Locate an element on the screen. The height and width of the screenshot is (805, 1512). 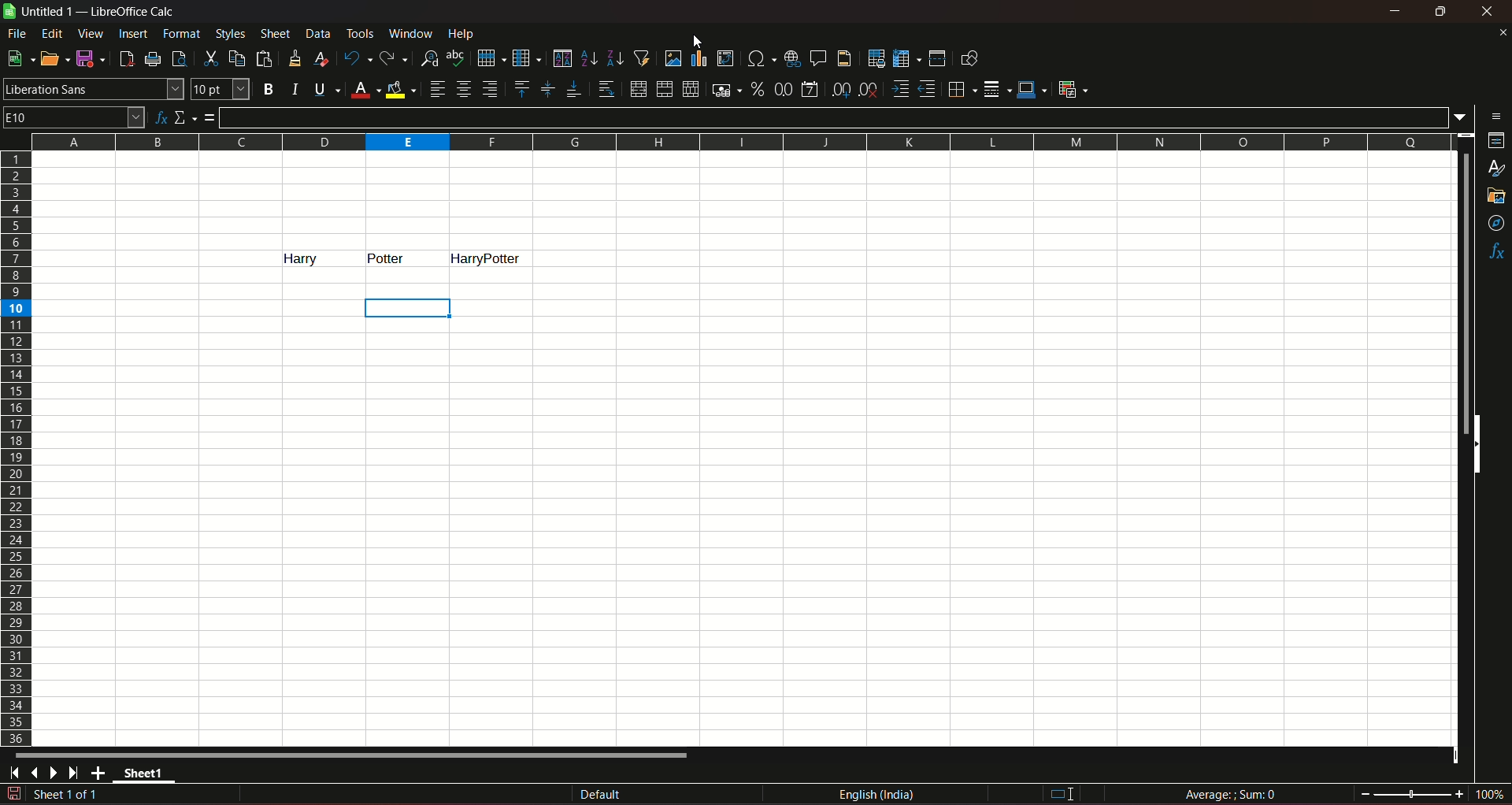
border color is located at coordinates (1032, 88).